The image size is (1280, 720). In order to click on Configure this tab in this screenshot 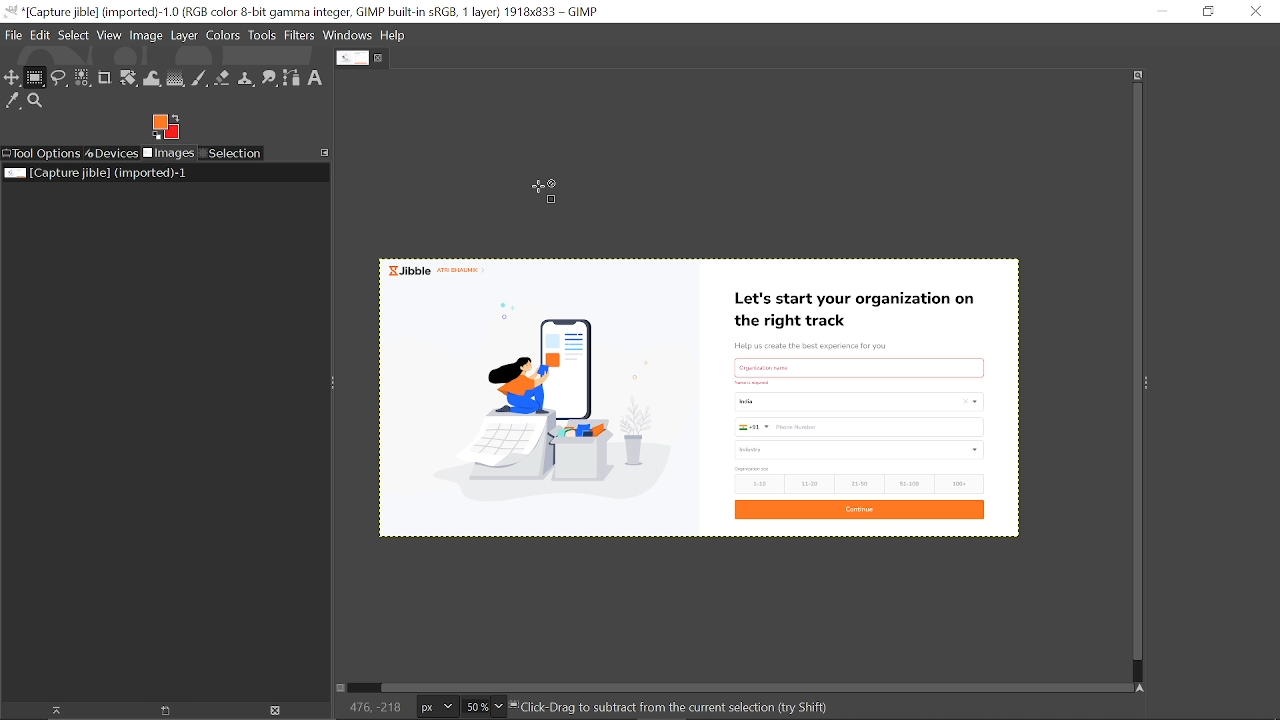, I will do `click(326, 152)`.